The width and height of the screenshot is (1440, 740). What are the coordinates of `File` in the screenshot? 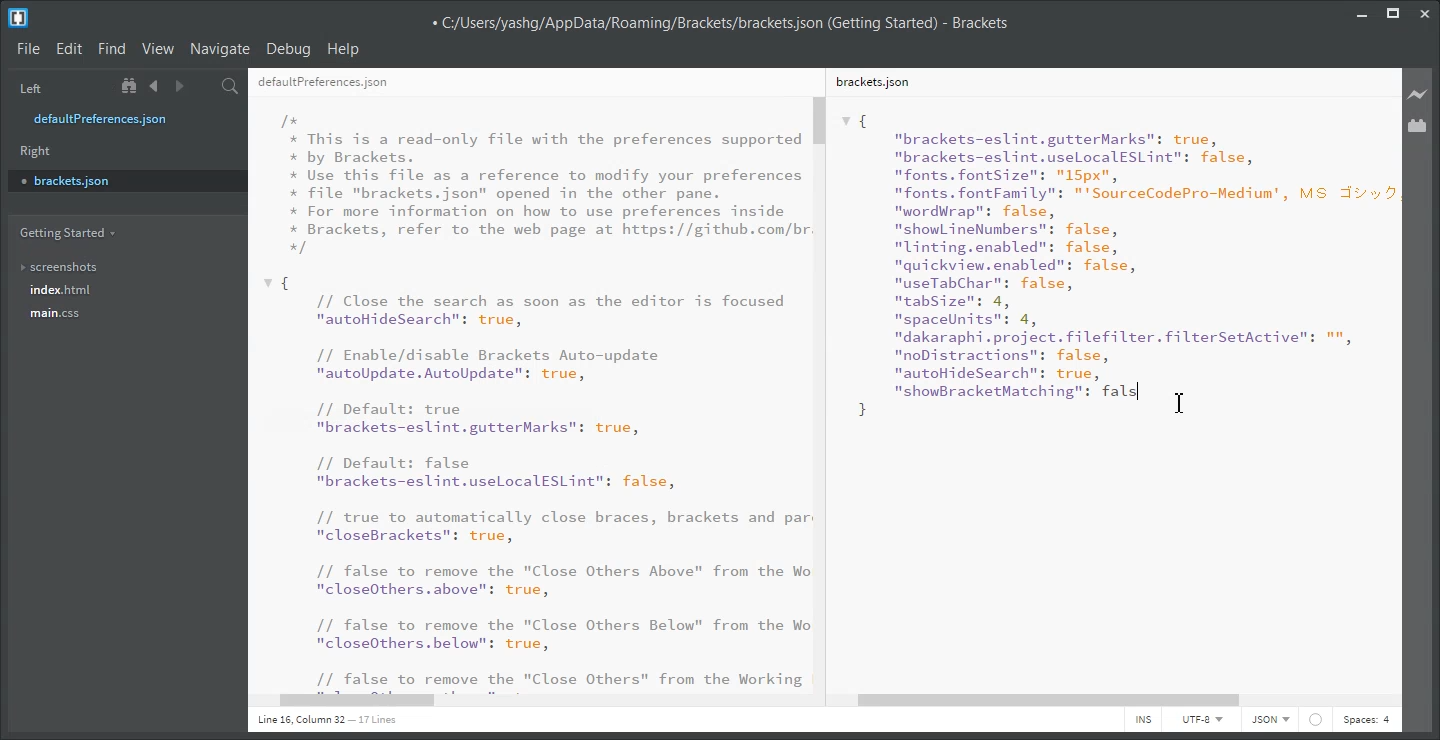 It's located at (28, 50).